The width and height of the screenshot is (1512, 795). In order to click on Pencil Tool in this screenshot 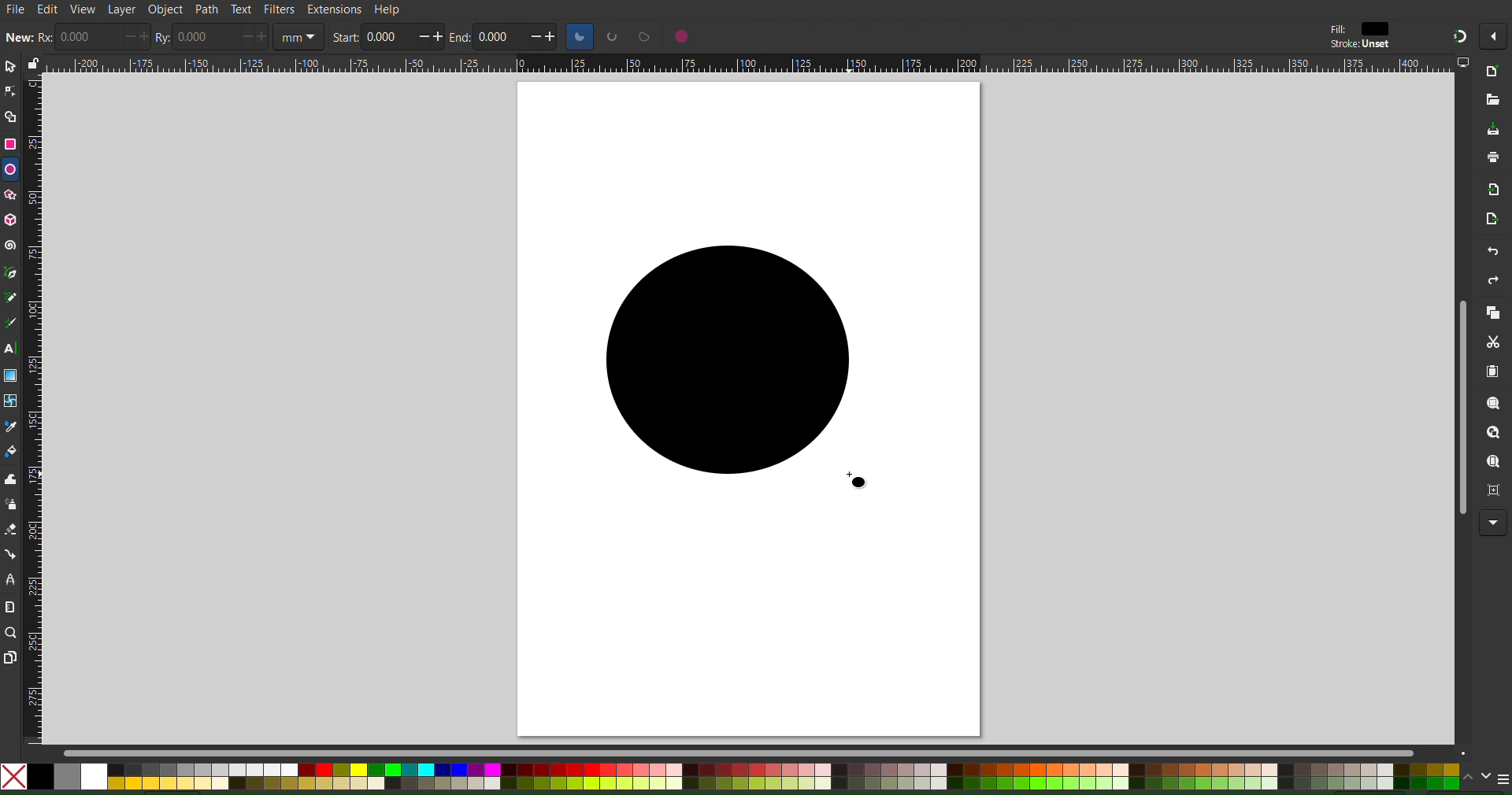, I will do `click(10, 298)`.